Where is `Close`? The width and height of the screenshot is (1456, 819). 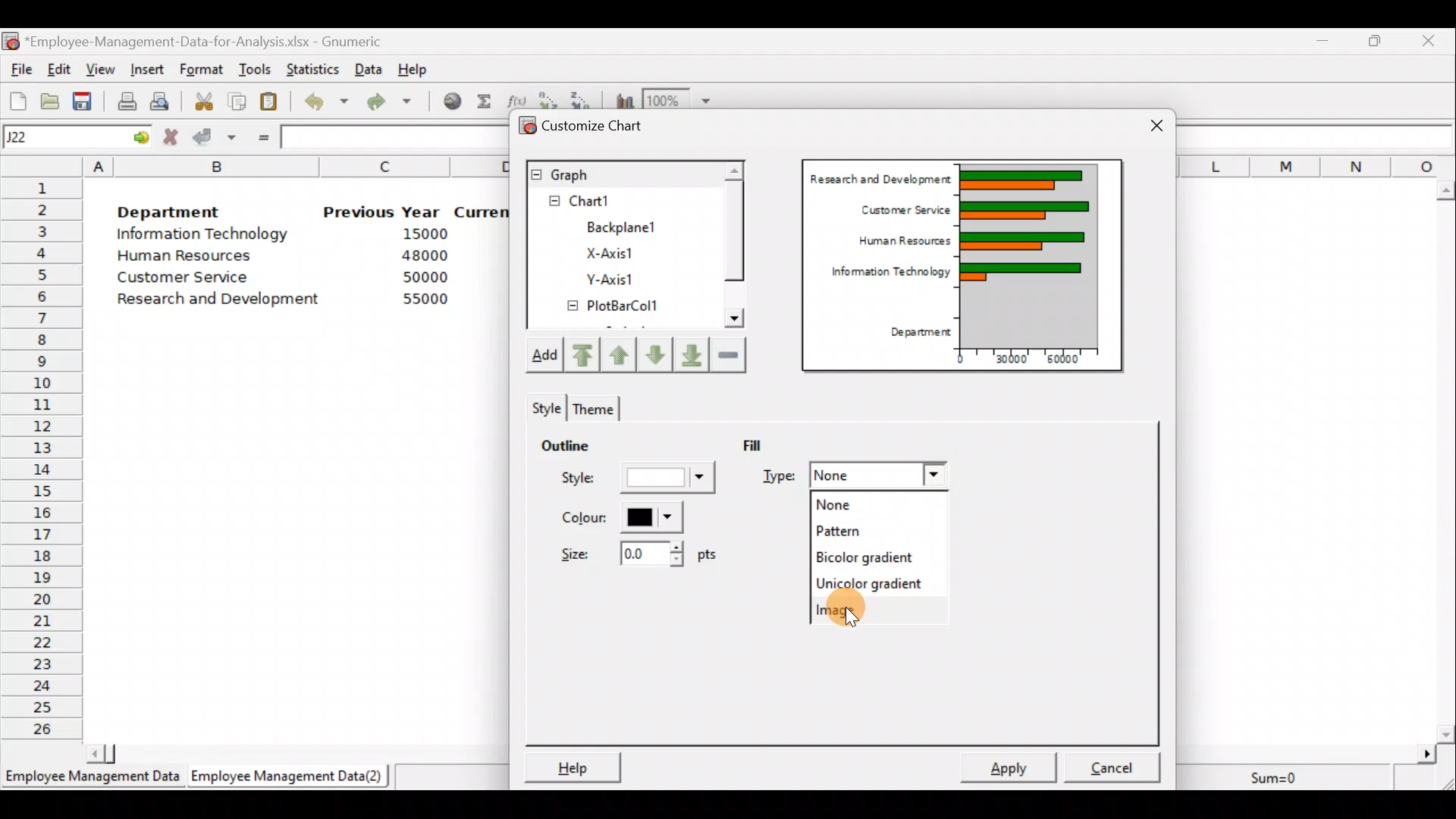
Close is located at coordinates (1432, 40).